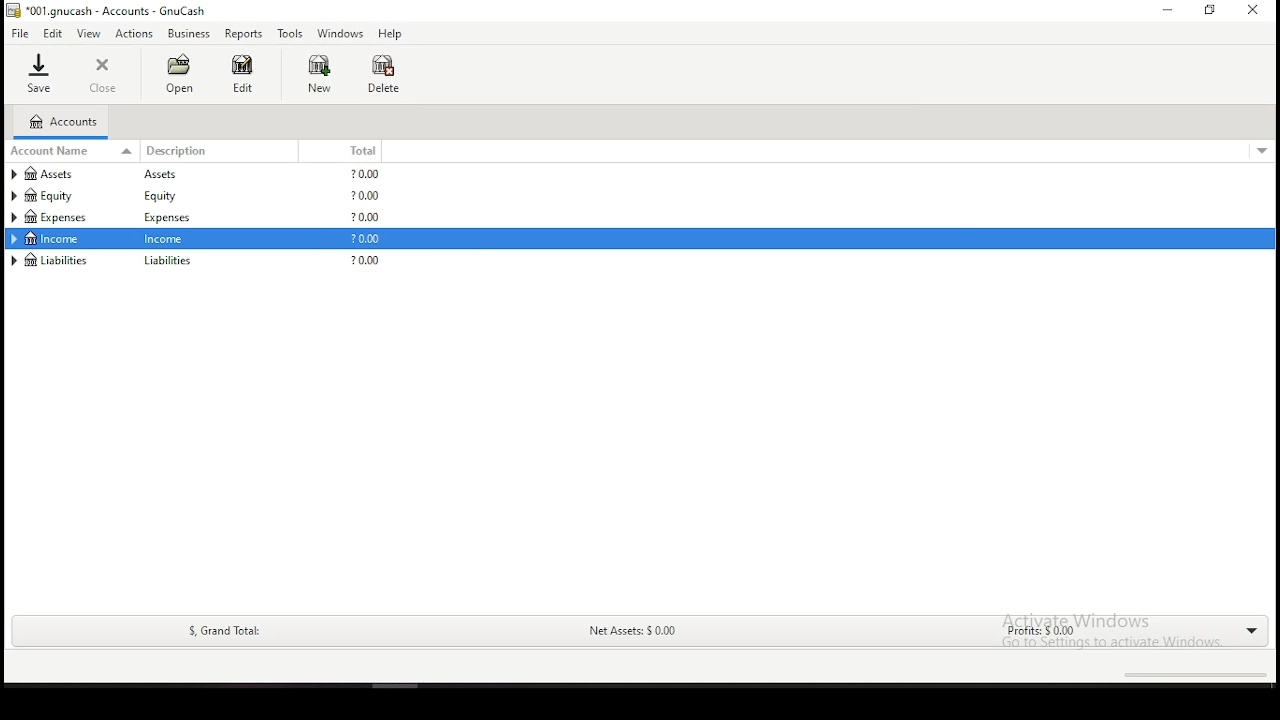 The height and width of the screenshot is (720, 1280). Describe the element at coordinates (1034, 633) in the screenshot. I see `profits: $ 0.00` at that location.